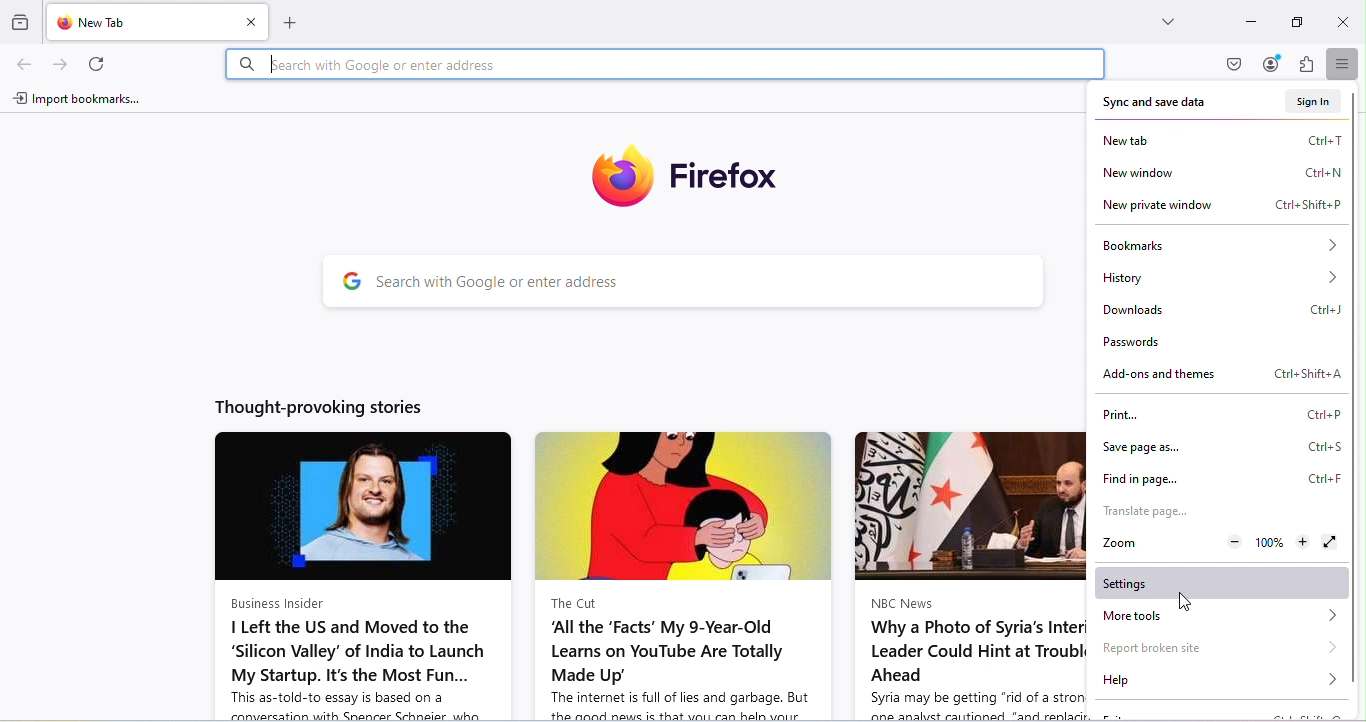 This screenshot has height=722, width=1366. What do you see at coordinates (1159, 18) in the screenshot?
I see `List all tabs` at bounding box center [1159, 18].